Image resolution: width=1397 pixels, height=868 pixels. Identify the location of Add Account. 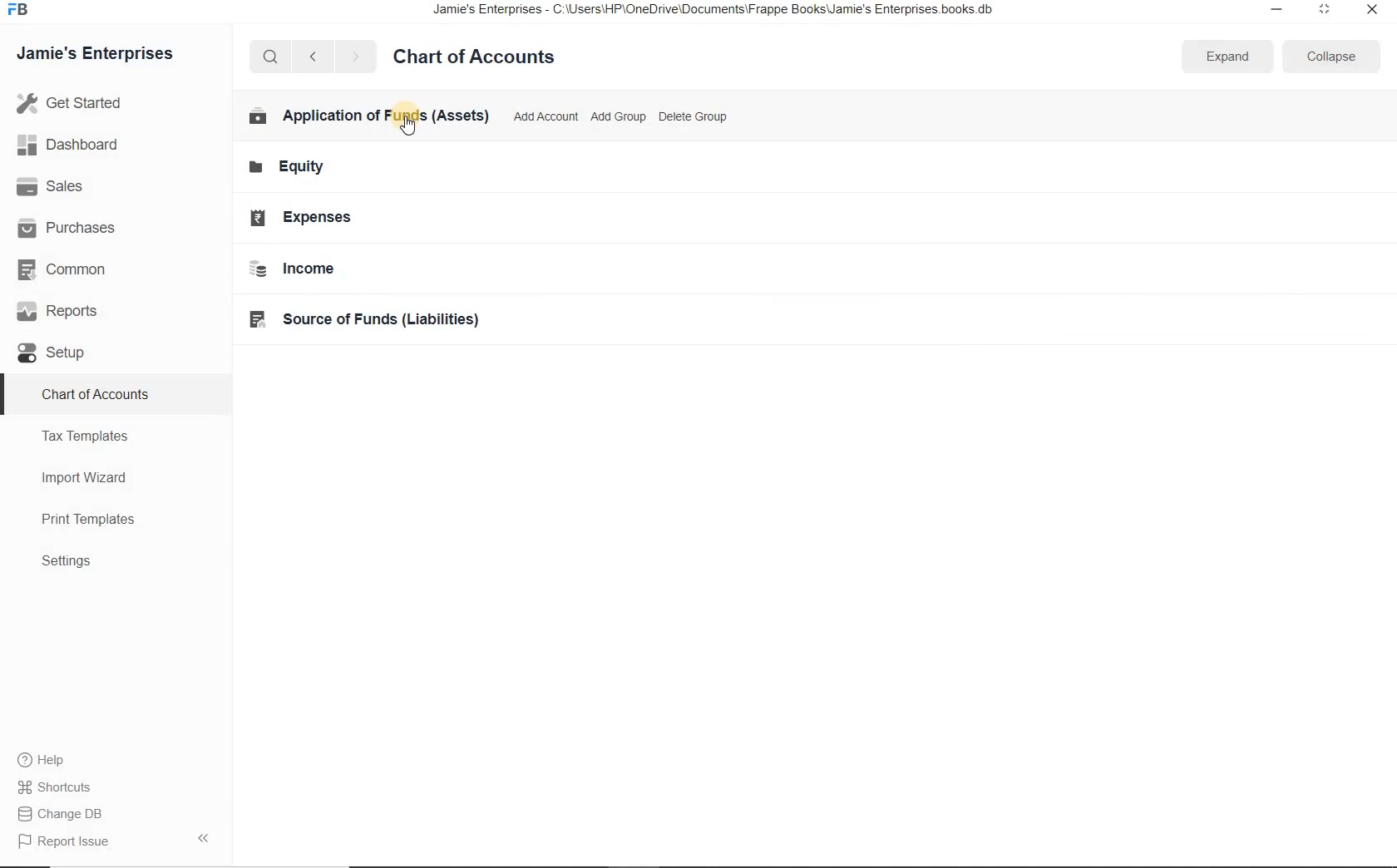
(545, 116).